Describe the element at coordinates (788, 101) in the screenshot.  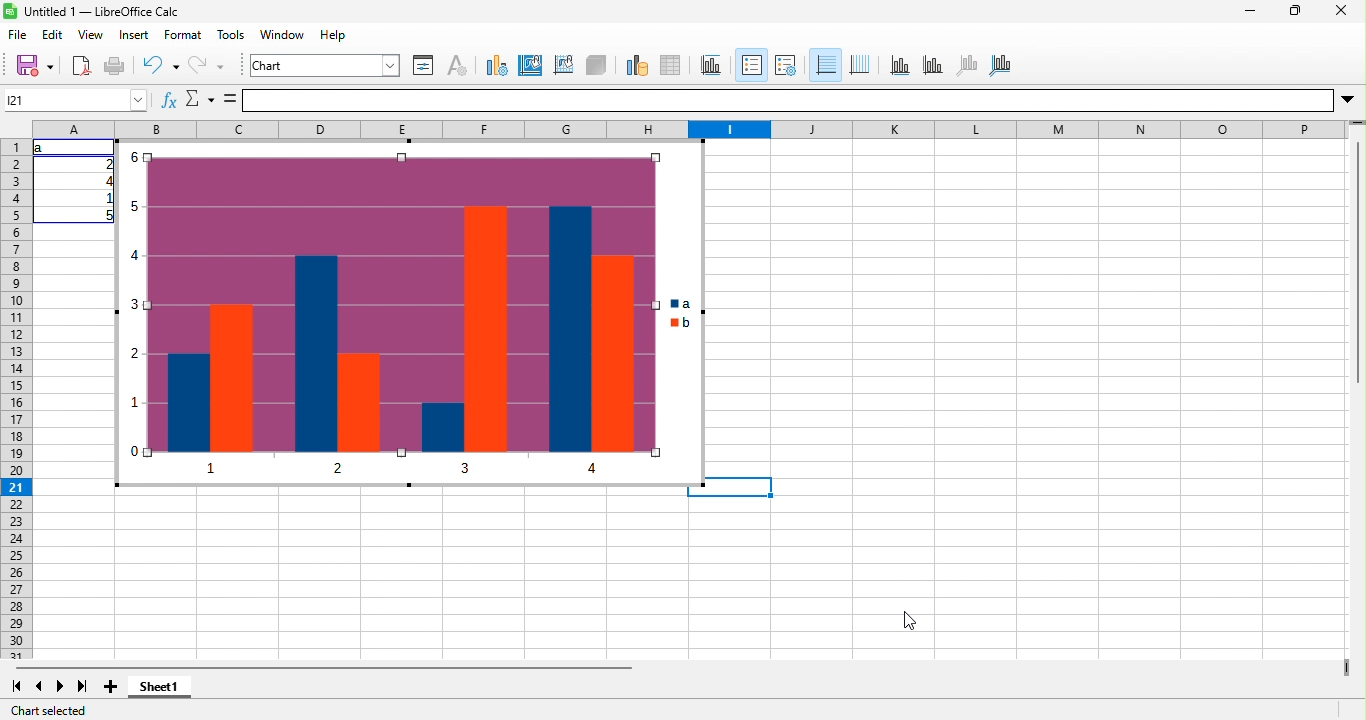
I see `formula bar` at that location.